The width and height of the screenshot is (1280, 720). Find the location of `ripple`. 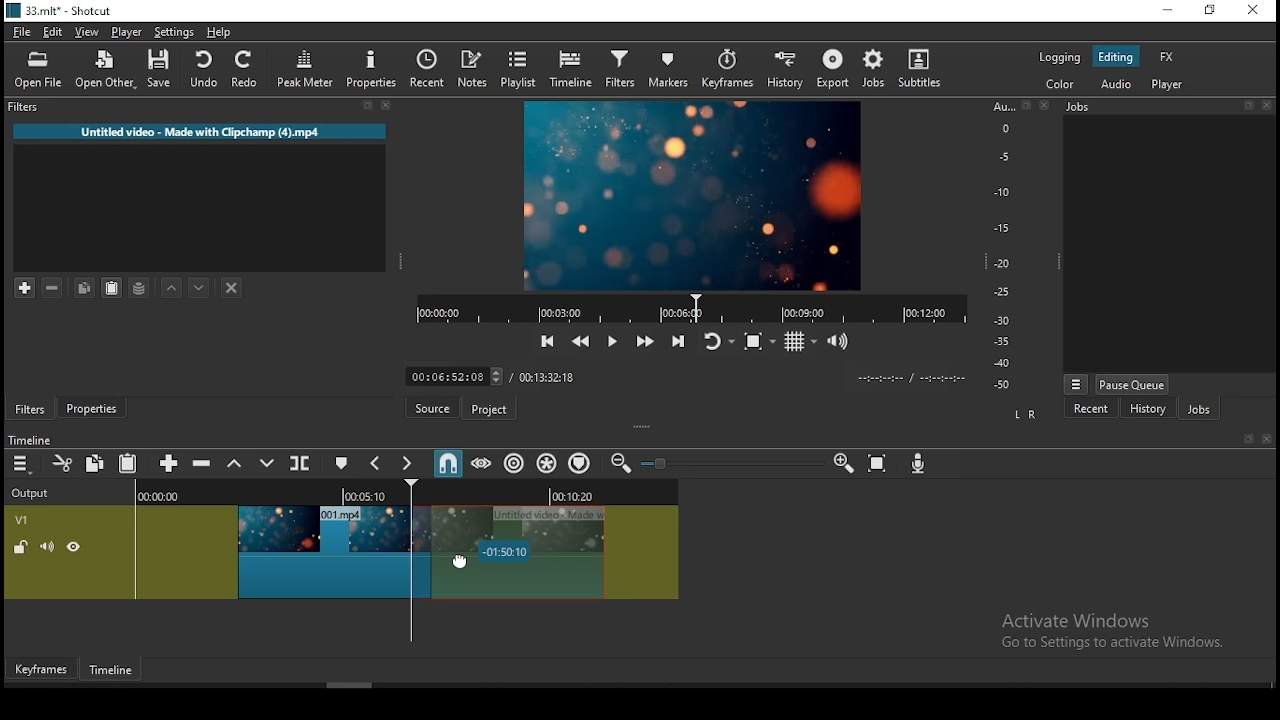

ripple is located at coordinates (515, 464).